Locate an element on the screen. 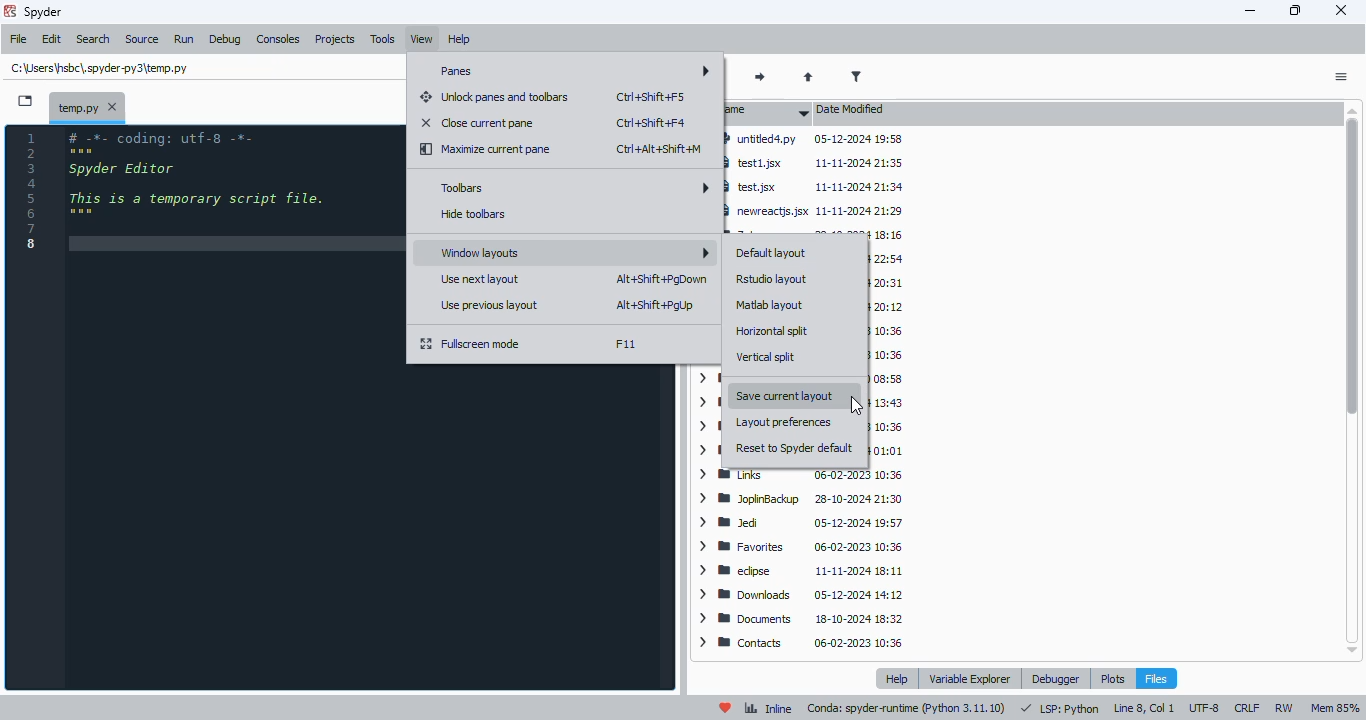  untitled4.py is located at coordinates (813, 139).